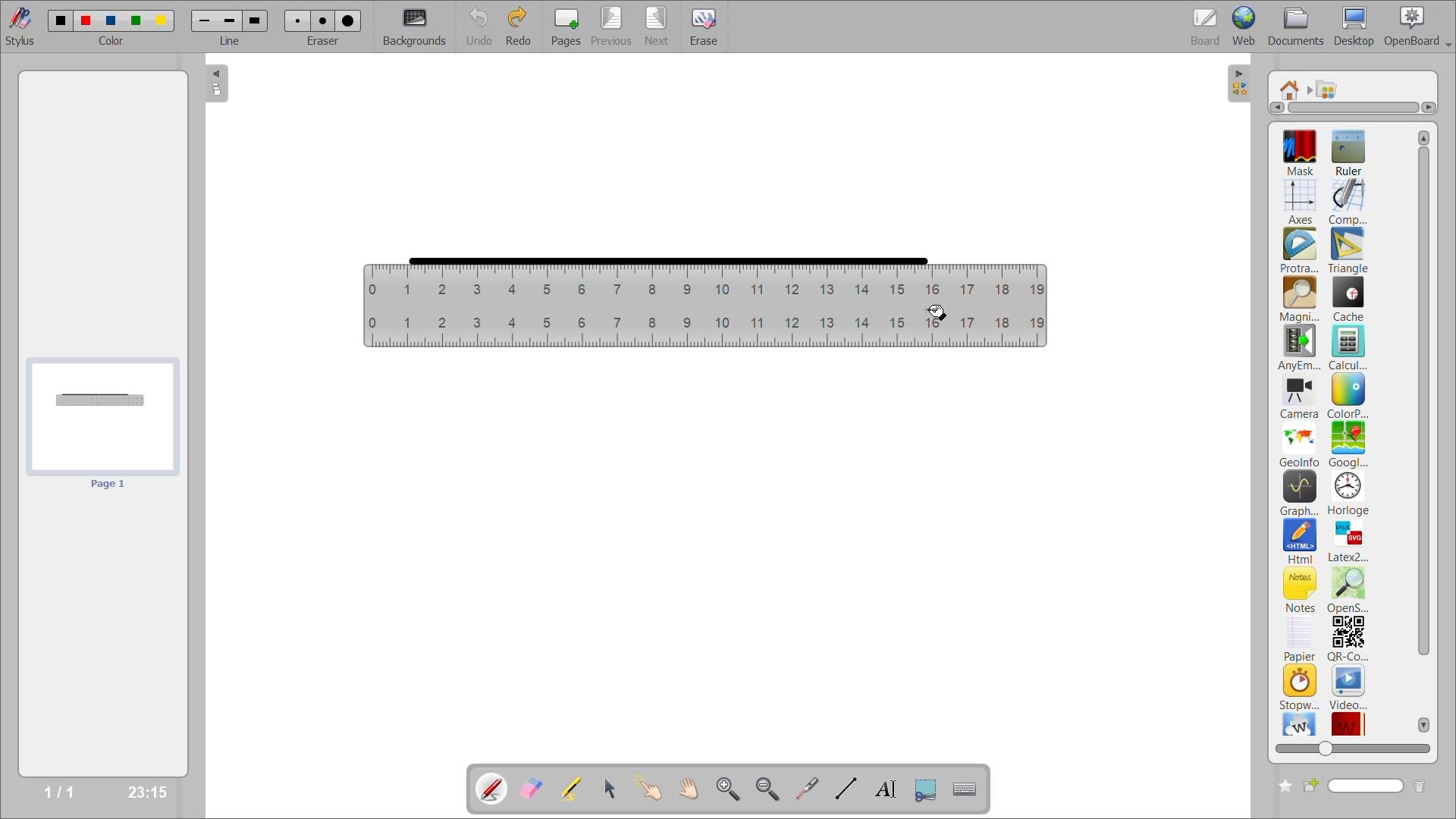 This screenshot has width=1456, height=819. Describe the element at coordinates (1299, 723) in the screenshot. I see `wikipedia` at that location.